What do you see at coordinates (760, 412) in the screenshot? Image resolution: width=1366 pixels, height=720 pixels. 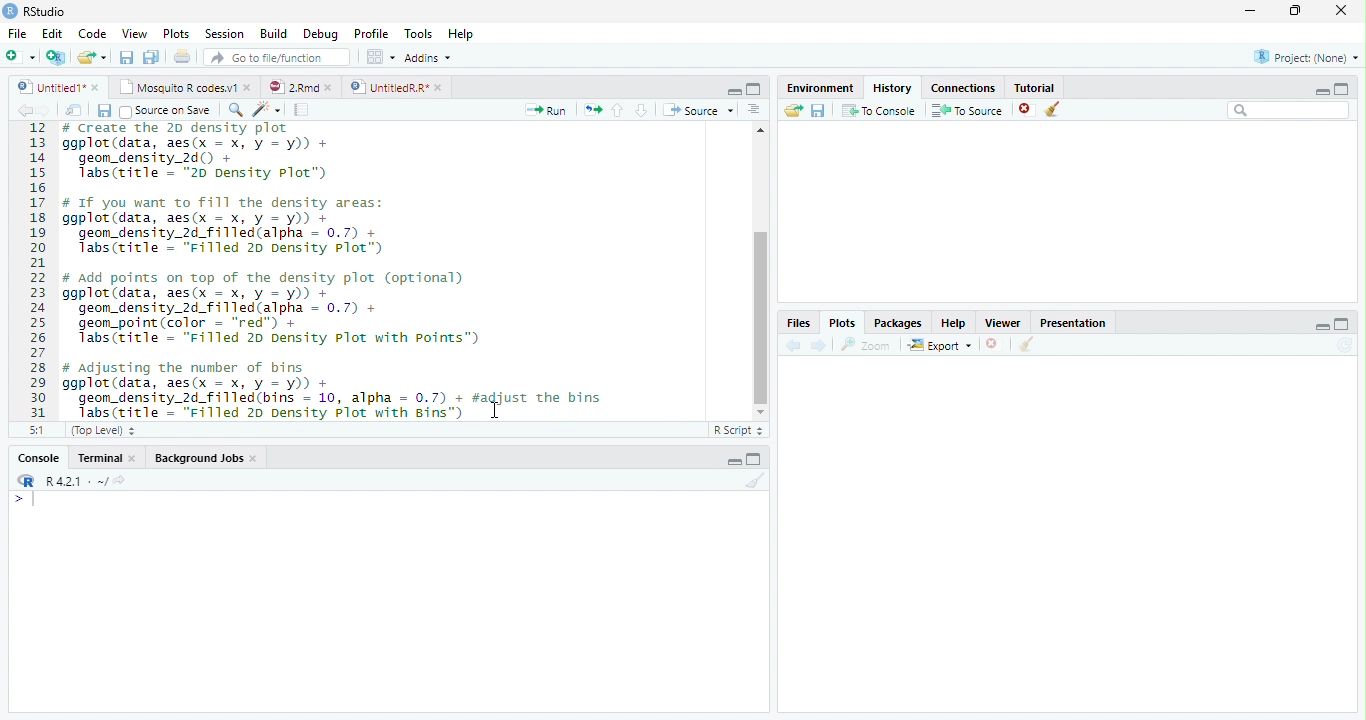 I see `Scrollbar down` at bounding box center [760, 412].